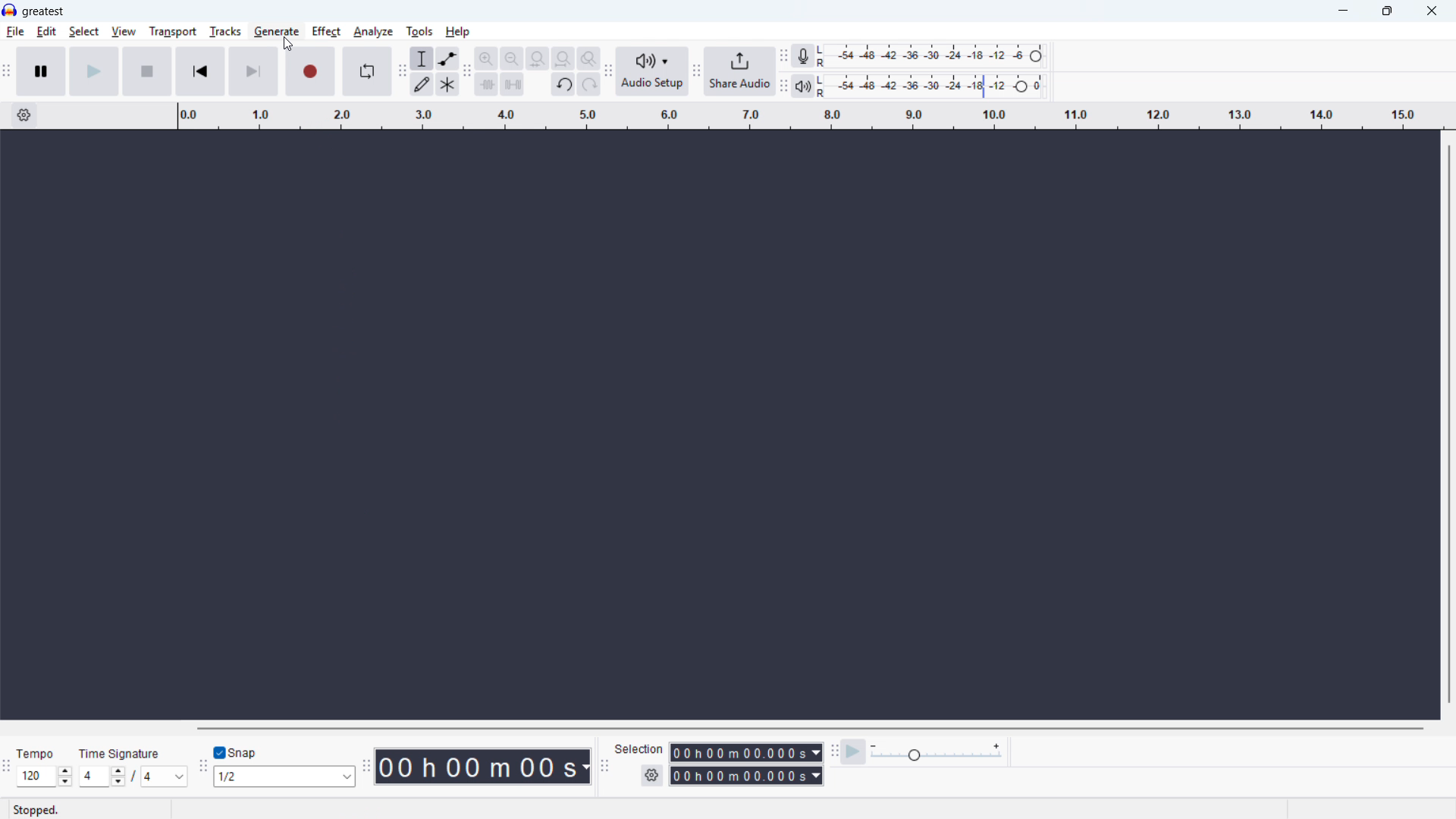 The image size is (1456, 819). I want to click on draw tool, so click(422, 83).